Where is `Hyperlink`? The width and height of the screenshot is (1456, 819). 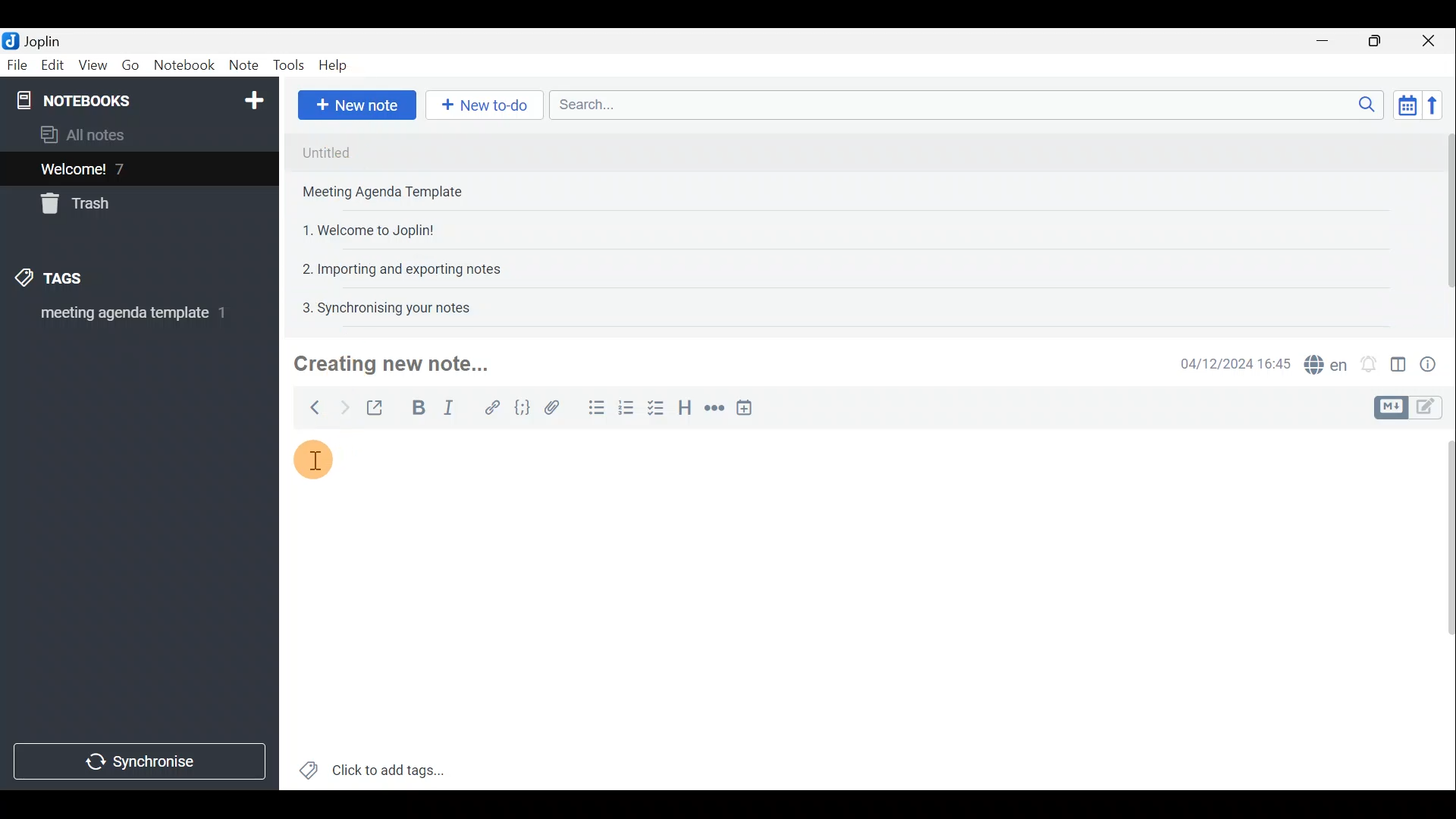 Hyperlink is located at coordinates (489, 406).